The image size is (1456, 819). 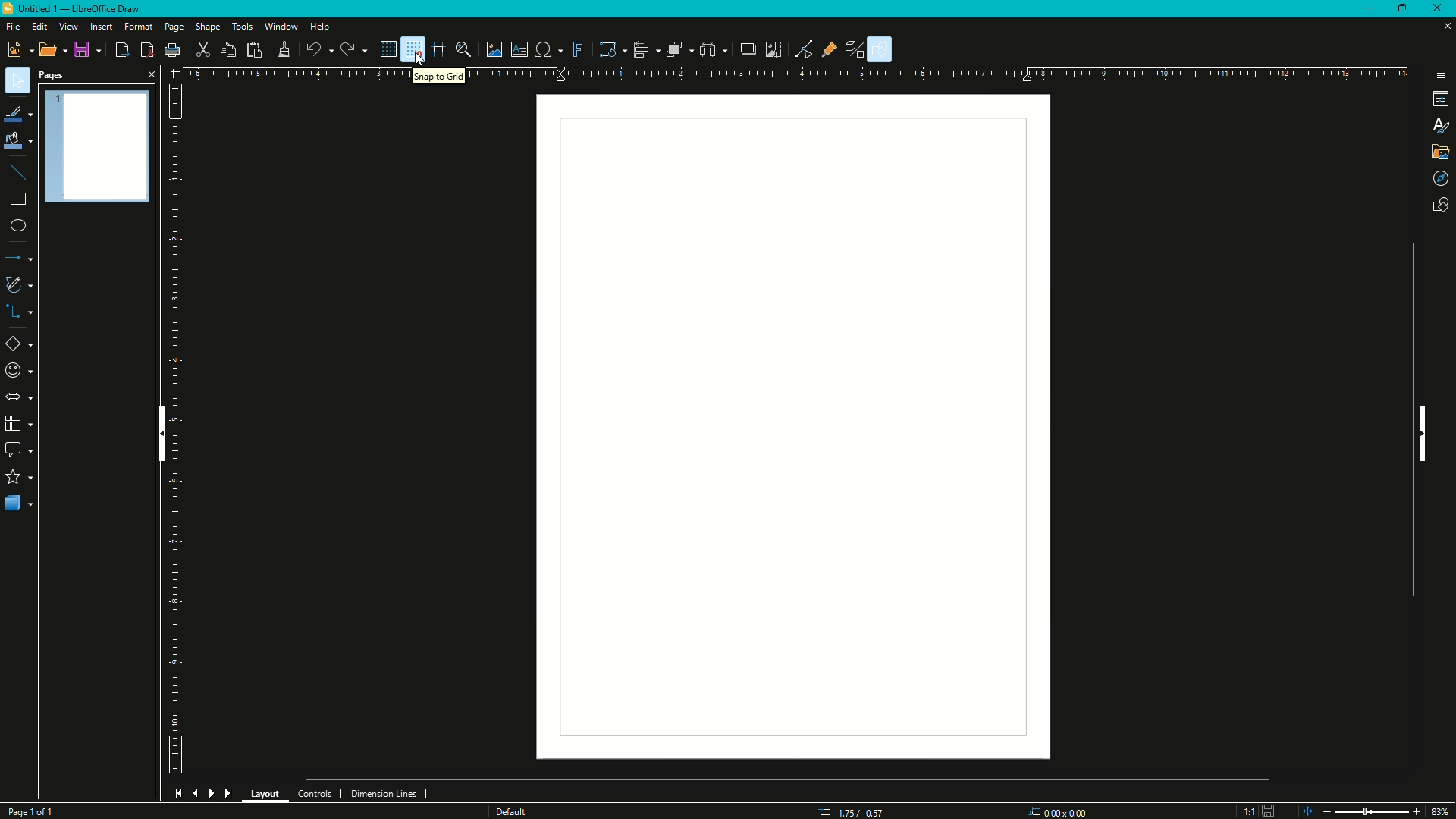 I want to click on Ellipse, so click(x=22, y=222).